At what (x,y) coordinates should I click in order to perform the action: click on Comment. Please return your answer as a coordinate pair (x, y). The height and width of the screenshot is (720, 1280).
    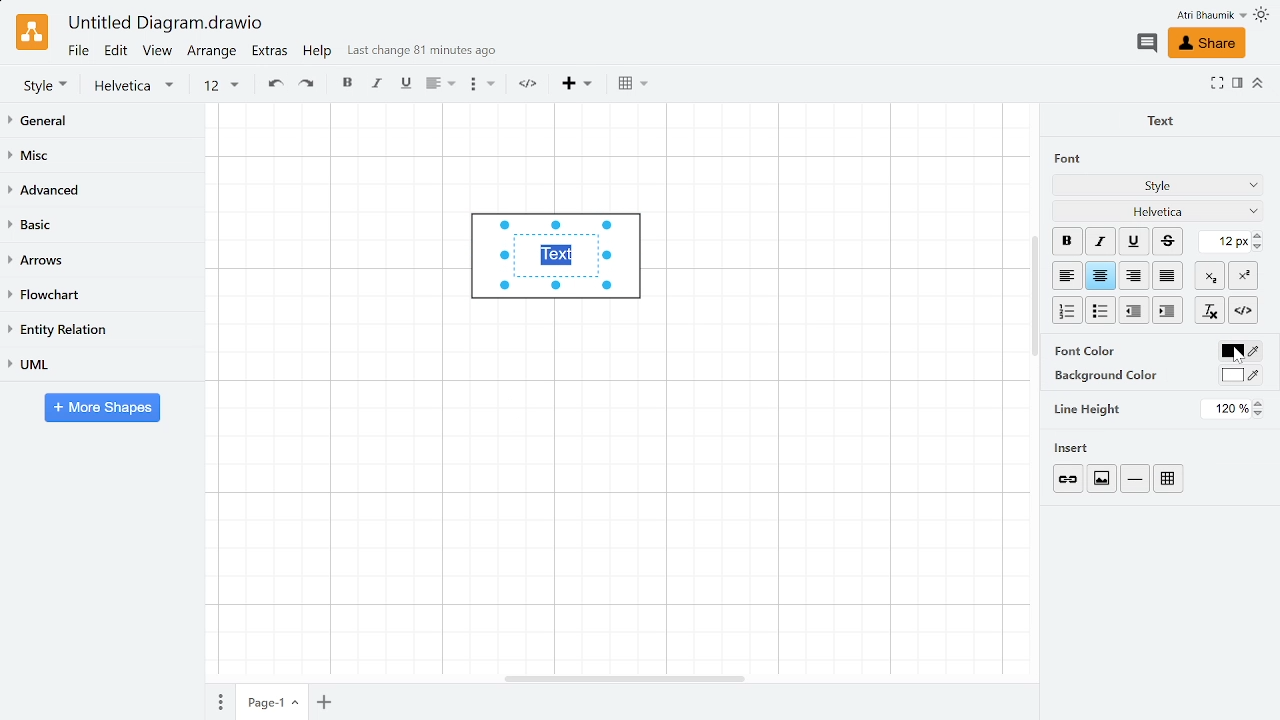
    Looking at the image, I should click on (1146, 43).